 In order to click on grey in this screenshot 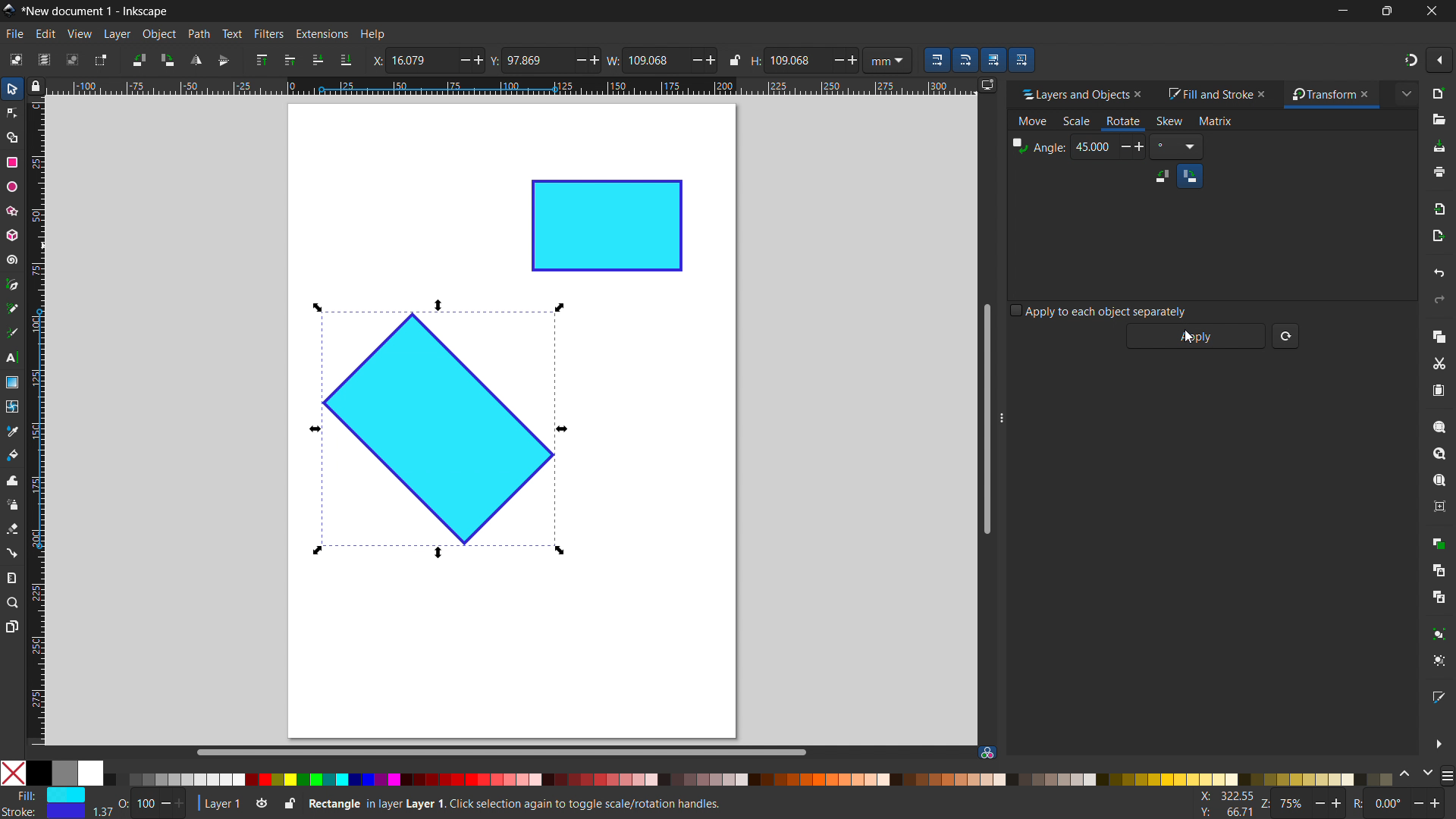, I will do `click(64, 773)`.